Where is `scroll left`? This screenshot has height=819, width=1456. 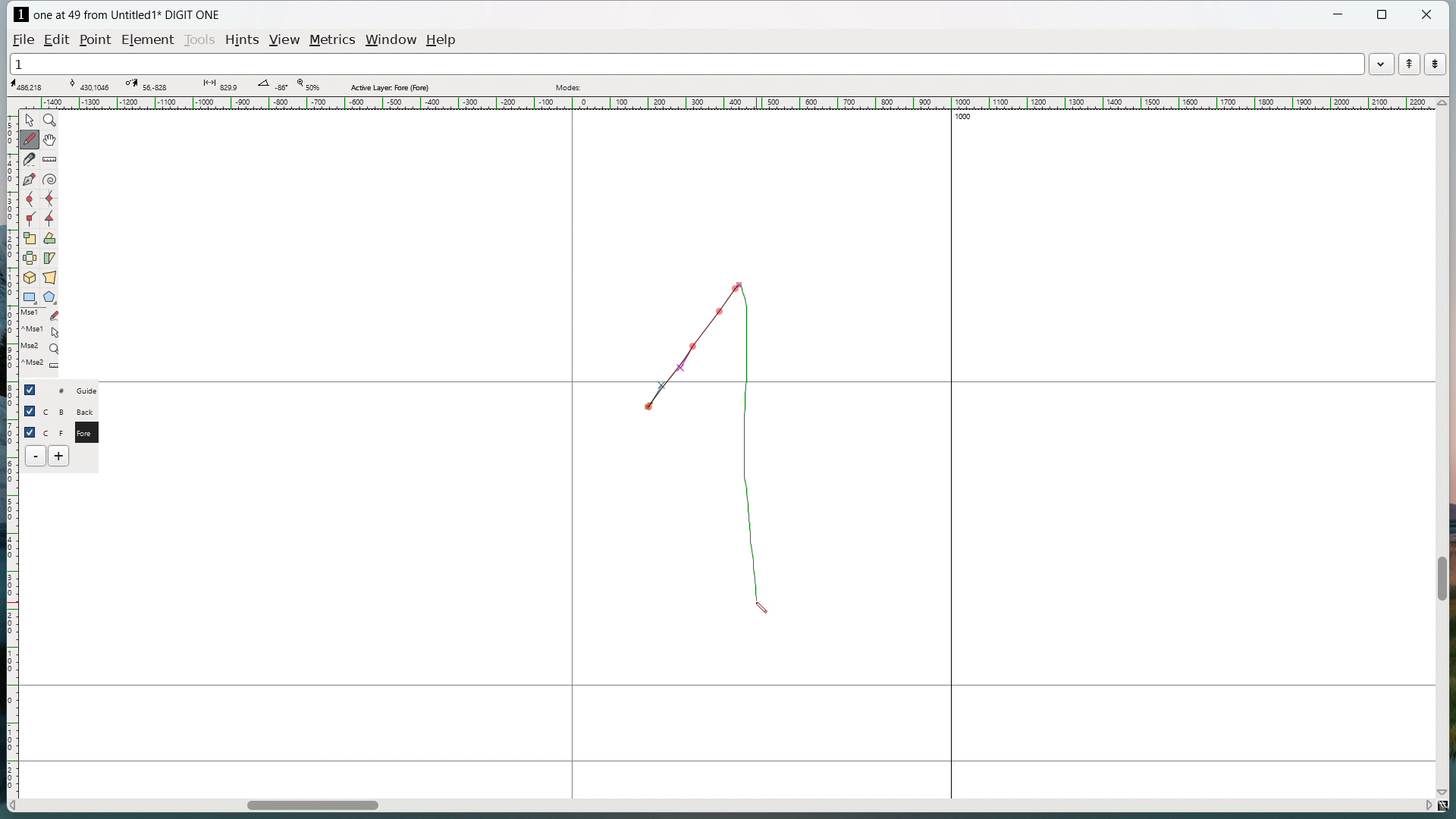
scroll left is located at coordinates (14, 806).